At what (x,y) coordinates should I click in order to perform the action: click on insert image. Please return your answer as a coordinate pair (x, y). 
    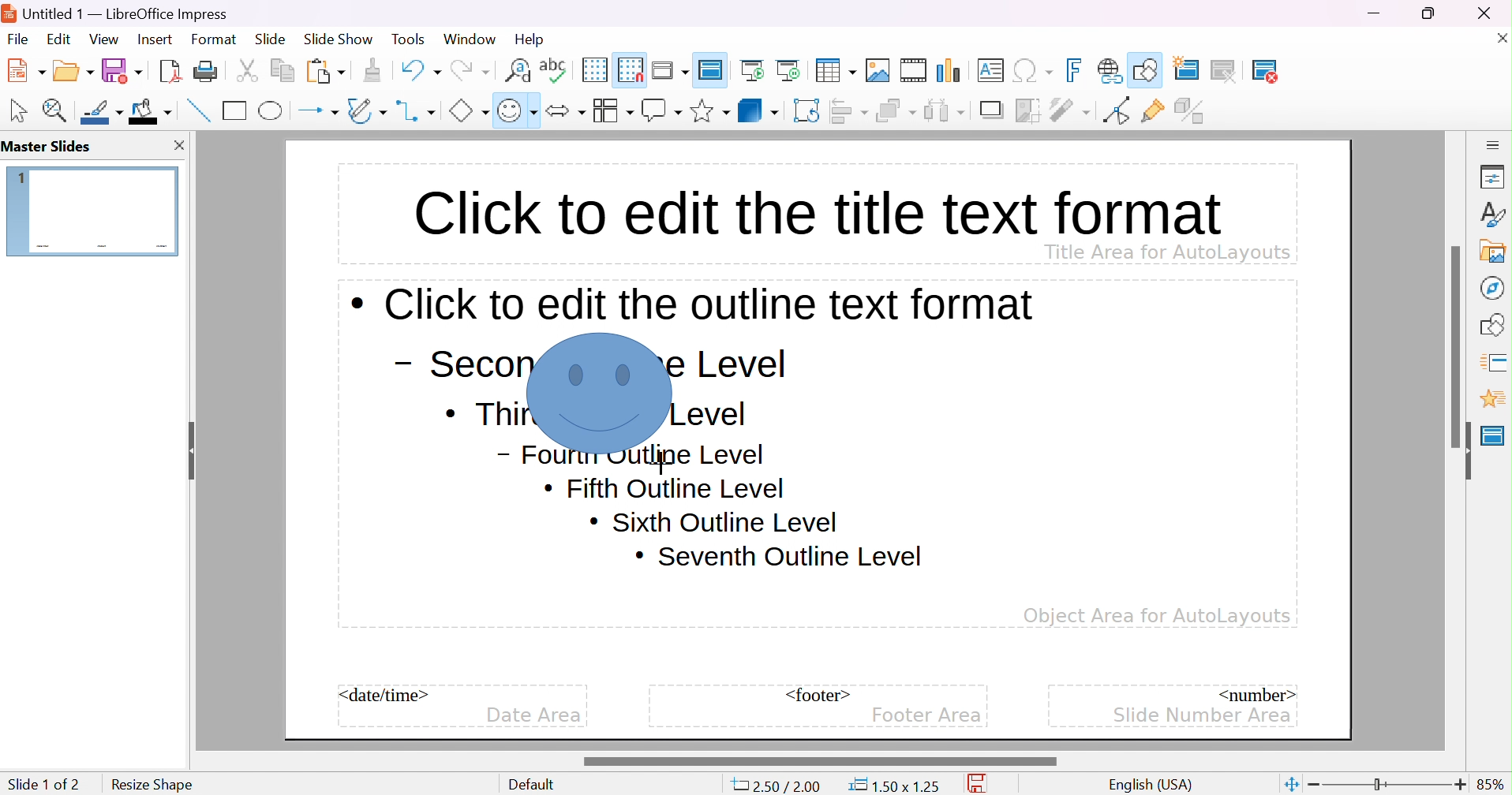
    Looking at the image, I should click on (878, 70).